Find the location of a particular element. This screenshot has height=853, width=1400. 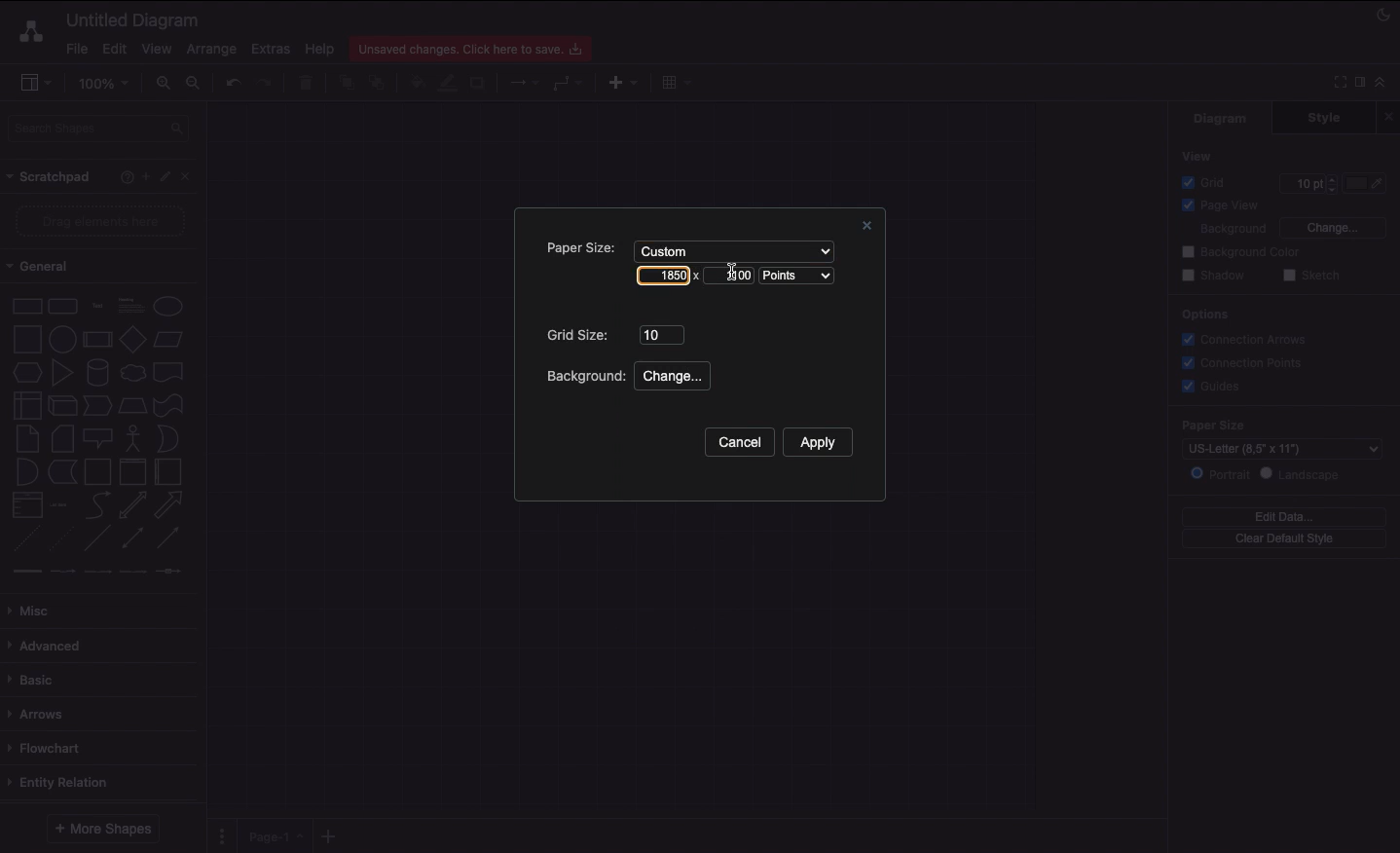

Vertical container is located at coordinates (133, 470).